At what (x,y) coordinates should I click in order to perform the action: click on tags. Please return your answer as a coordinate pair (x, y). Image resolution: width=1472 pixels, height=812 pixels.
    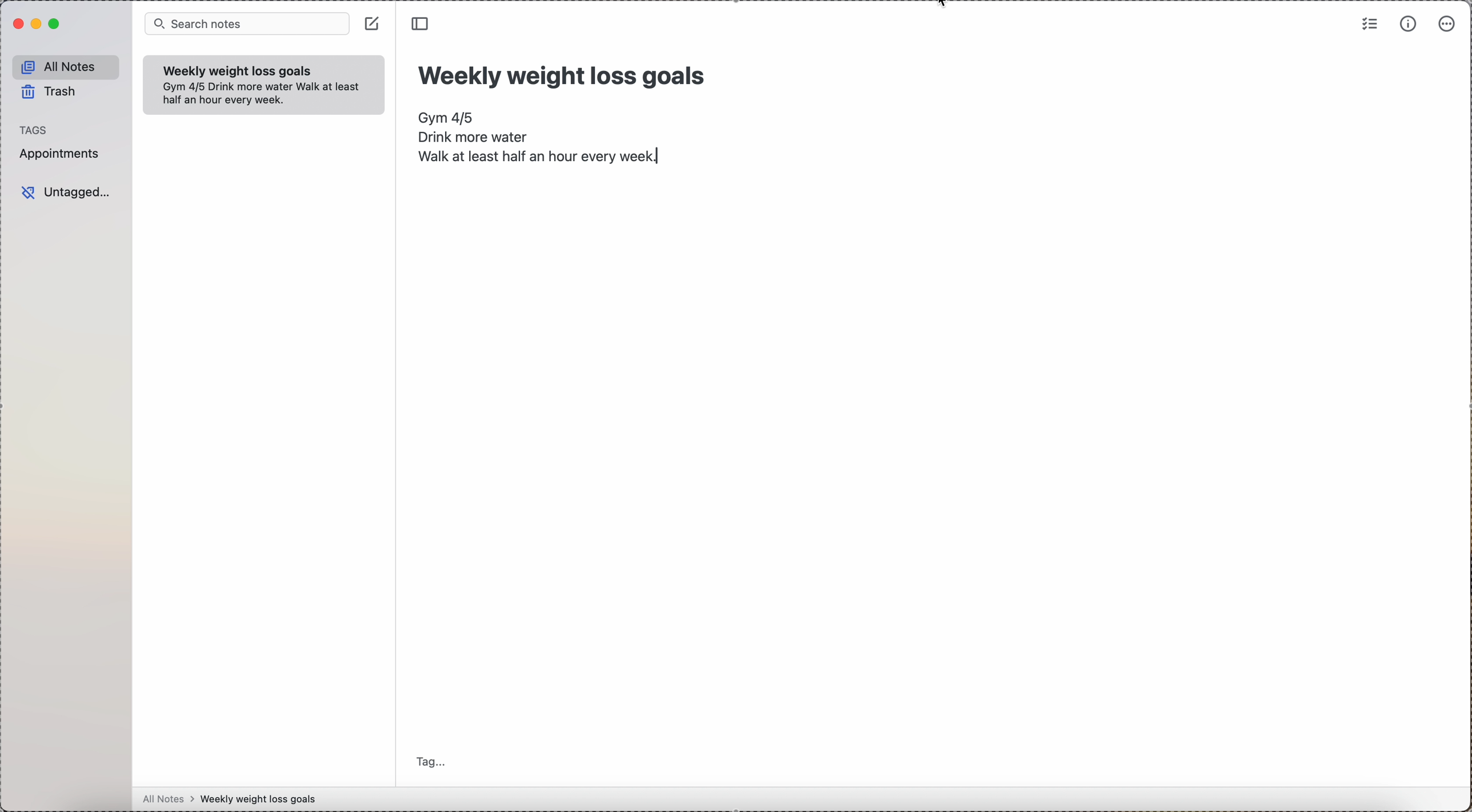
    Looking at the image, I should click on (35, 130).